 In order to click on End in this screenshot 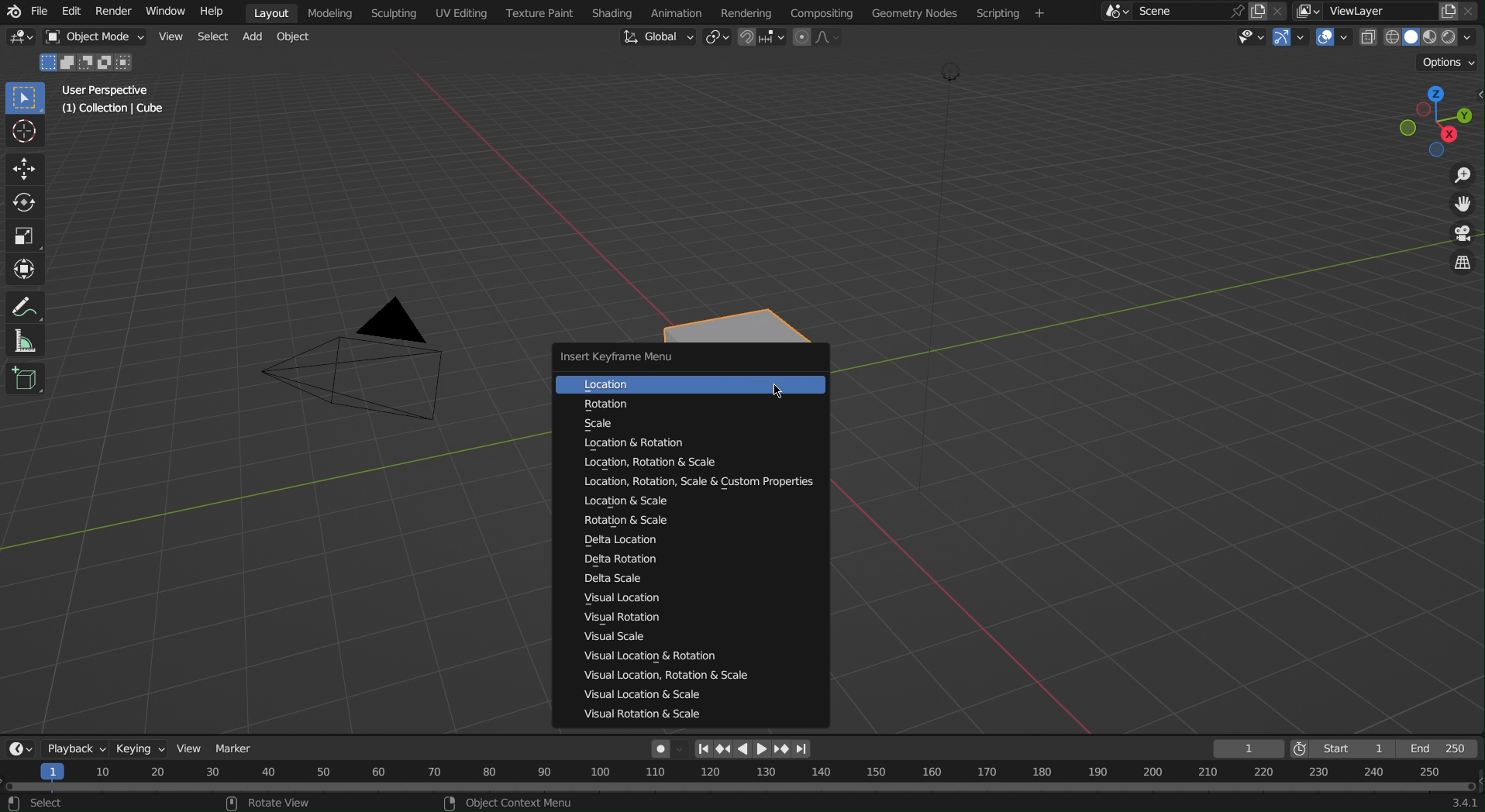, I will do `click(1445, 748)`.